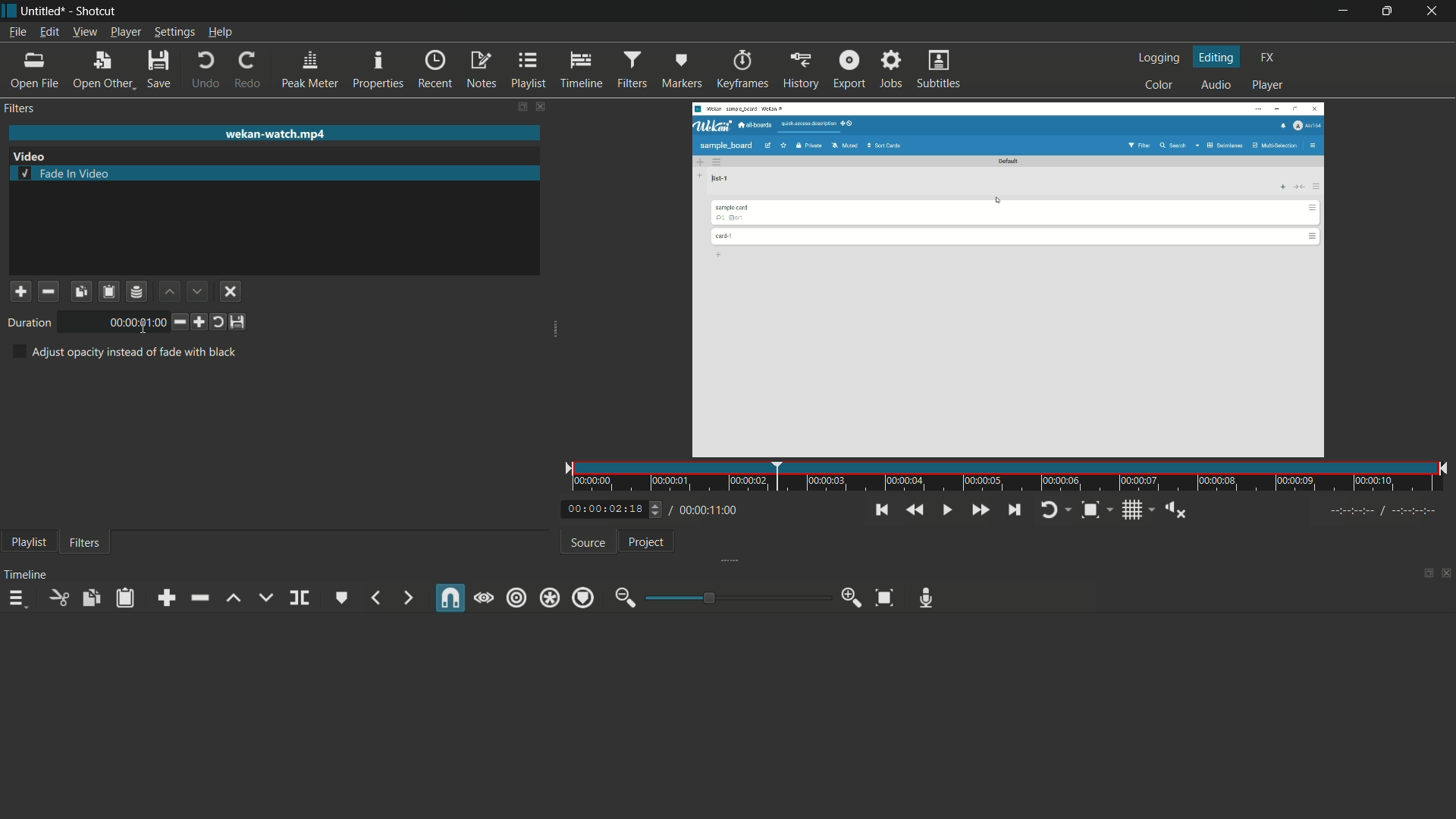 The width and height of the screenshot is (1456, 819). I want to click on ripple all tracks, so click(550, 598).